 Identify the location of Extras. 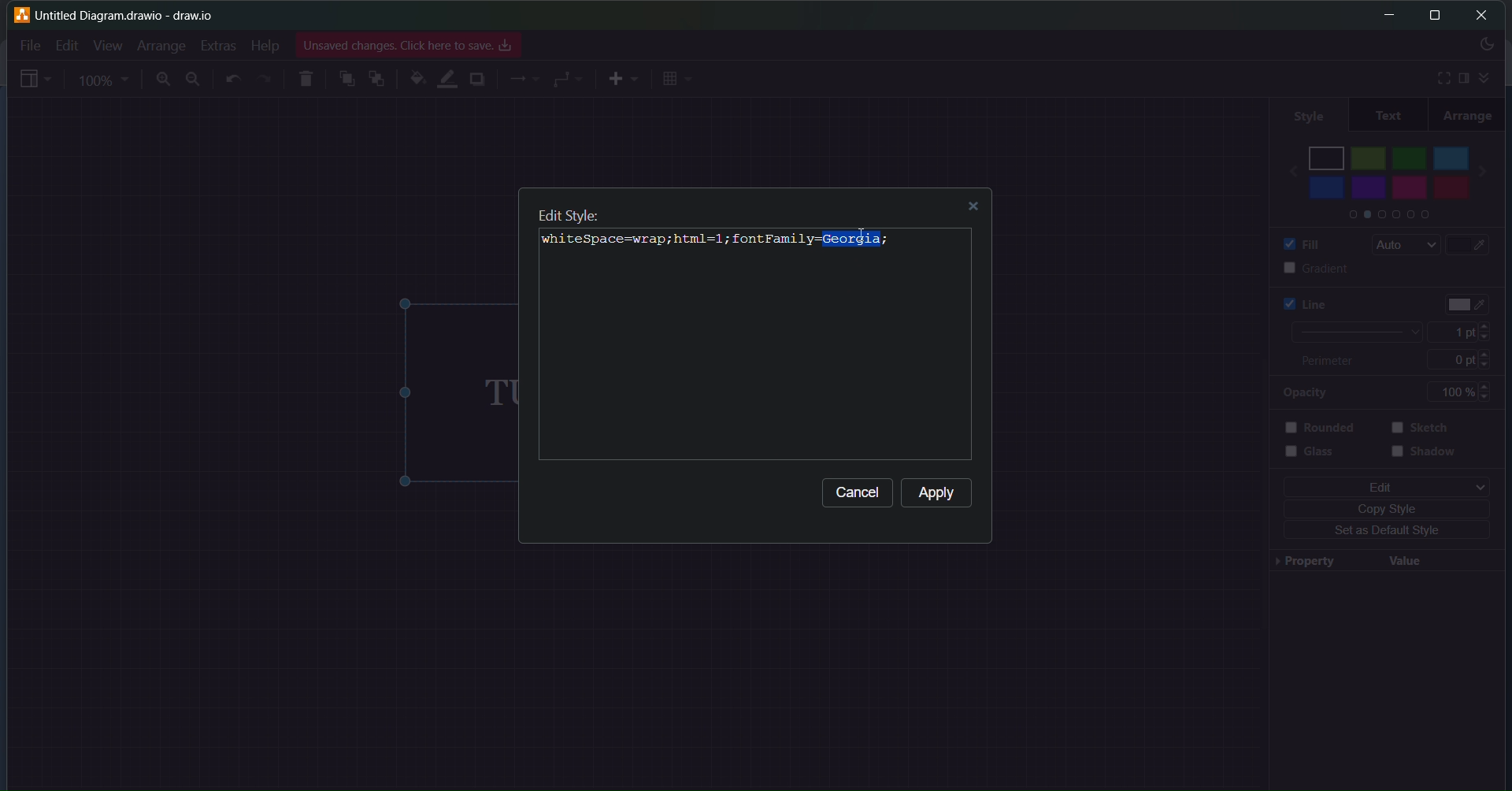
(220, 43).